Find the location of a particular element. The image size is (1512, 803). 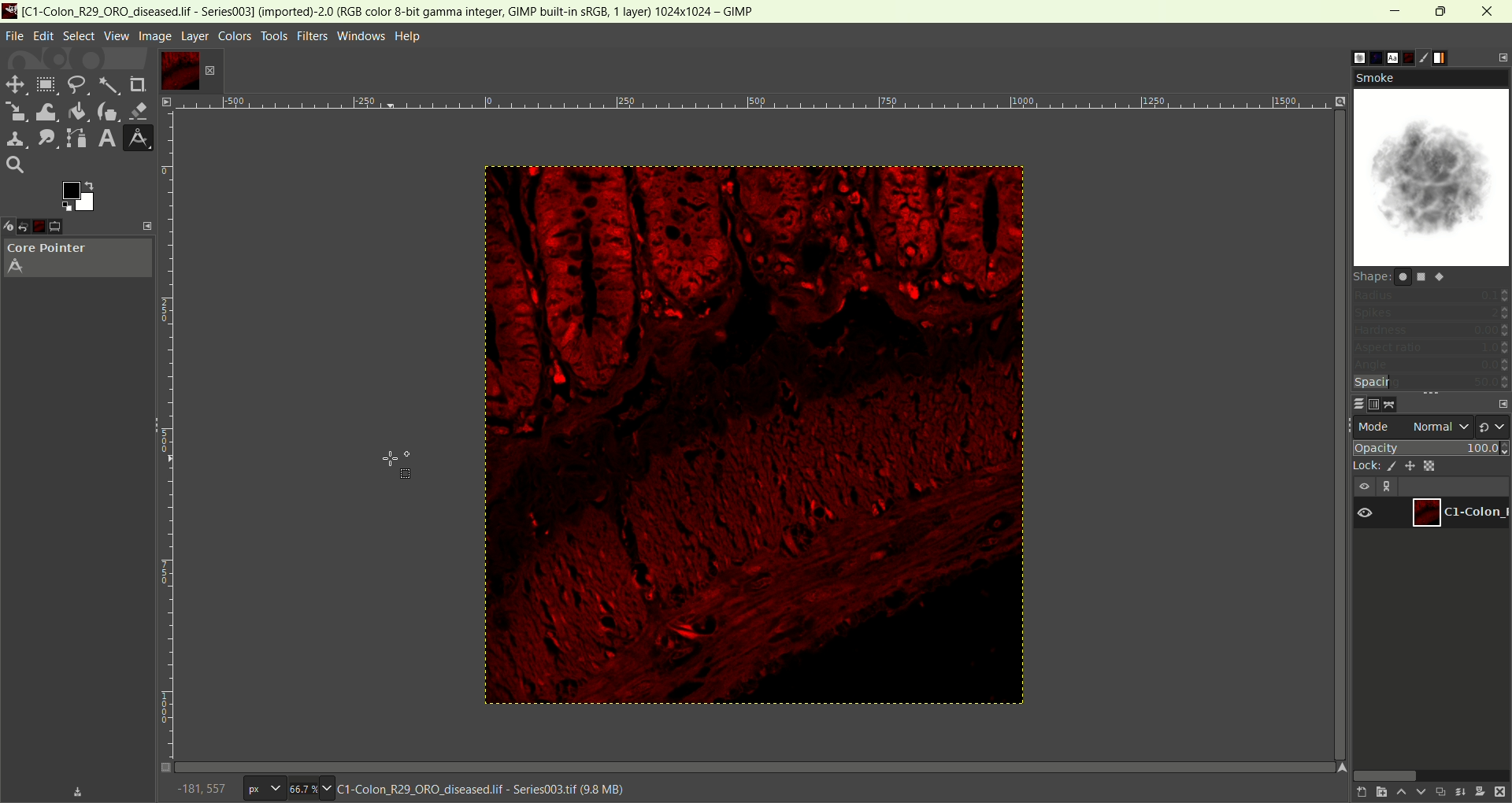

measure tool is located at coordinates (138, 138).